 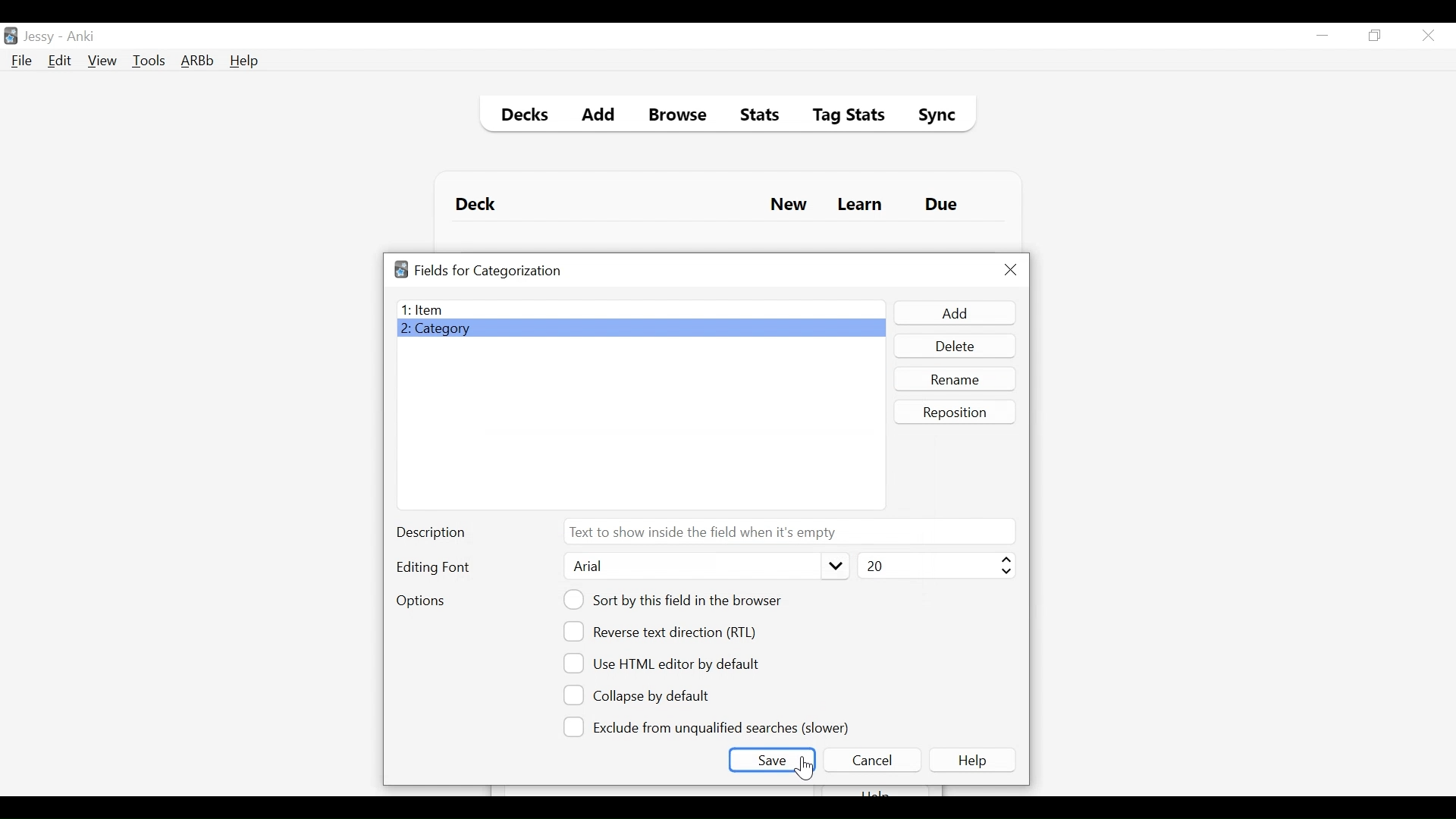 I want to click on Application logo, so click(x=401, y=269).